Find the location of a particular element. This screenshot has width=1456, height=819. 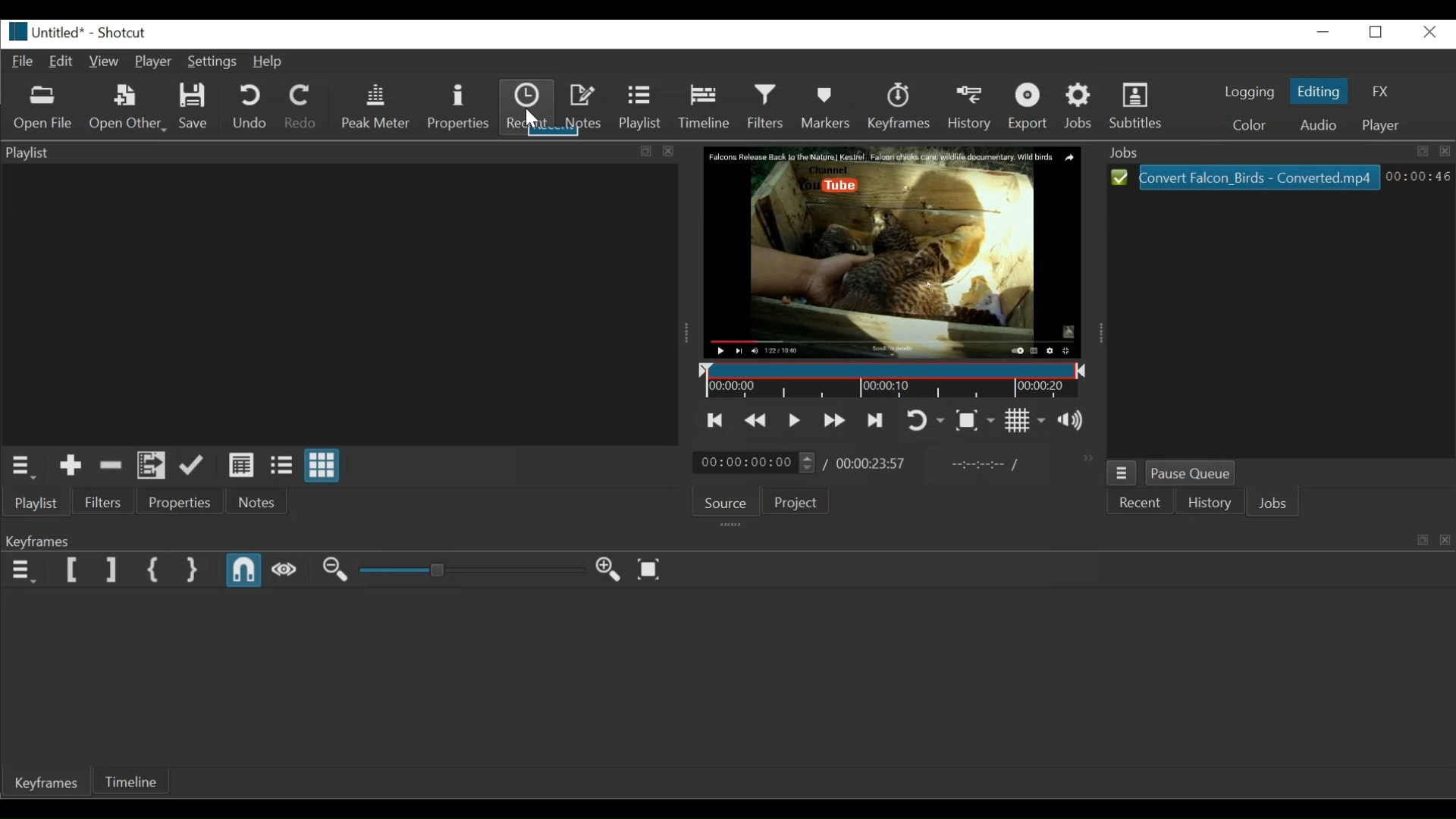

History is located at coordinates (972, 106).